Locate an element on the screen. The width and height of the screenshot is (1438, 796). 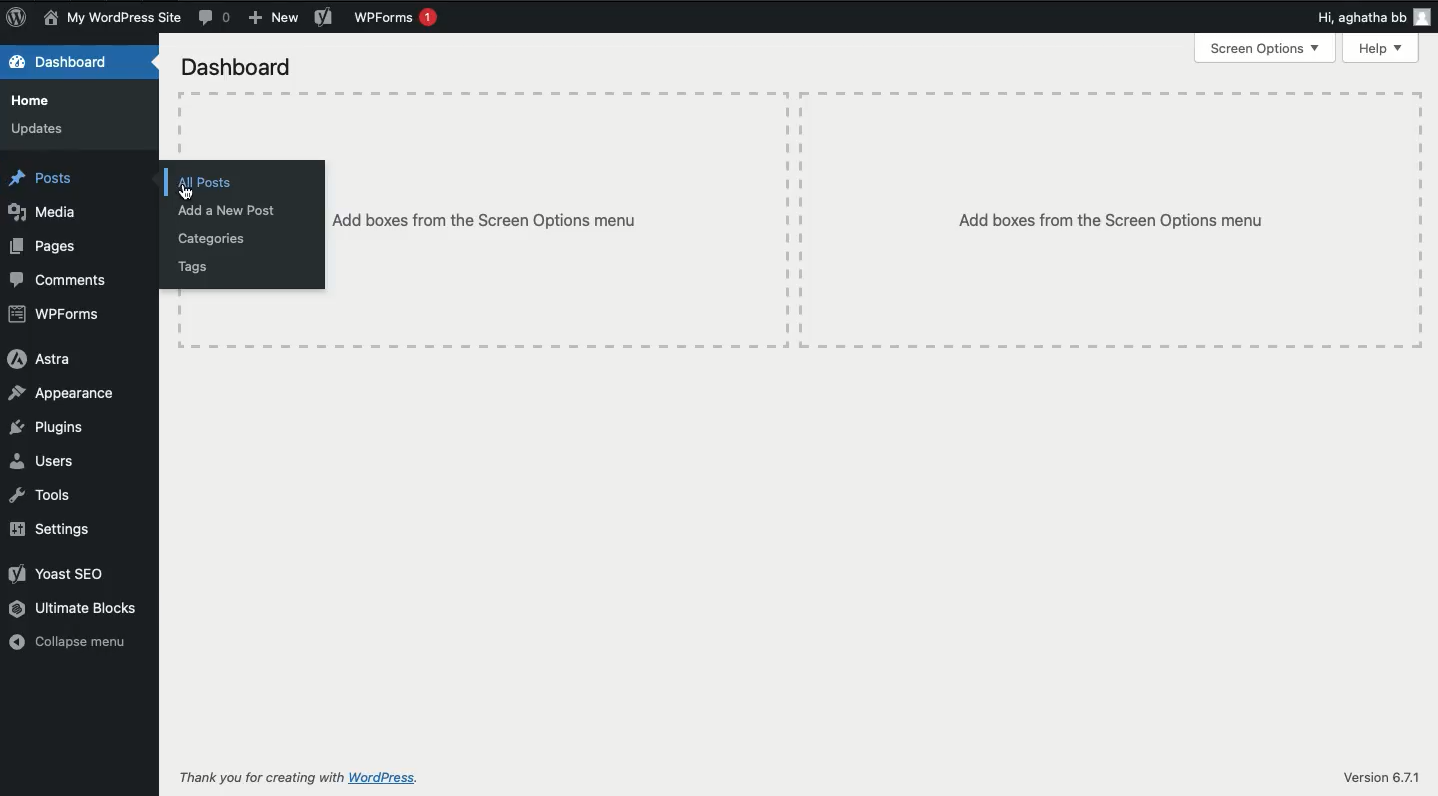
Astra is located at coordinates (39, 359).